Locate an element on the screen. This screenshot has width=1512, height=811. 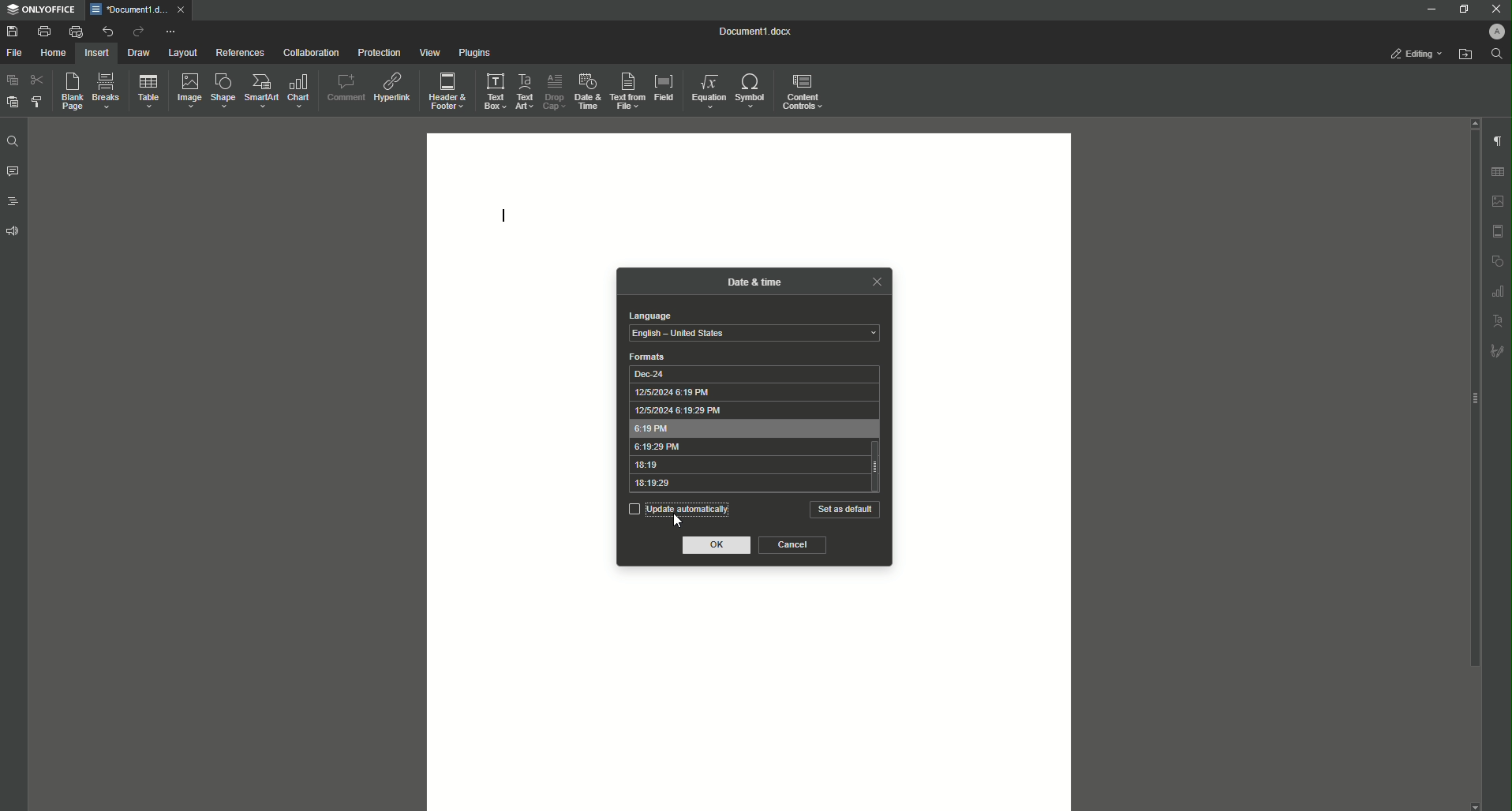
Restore is located at coordinates (1460, 9).